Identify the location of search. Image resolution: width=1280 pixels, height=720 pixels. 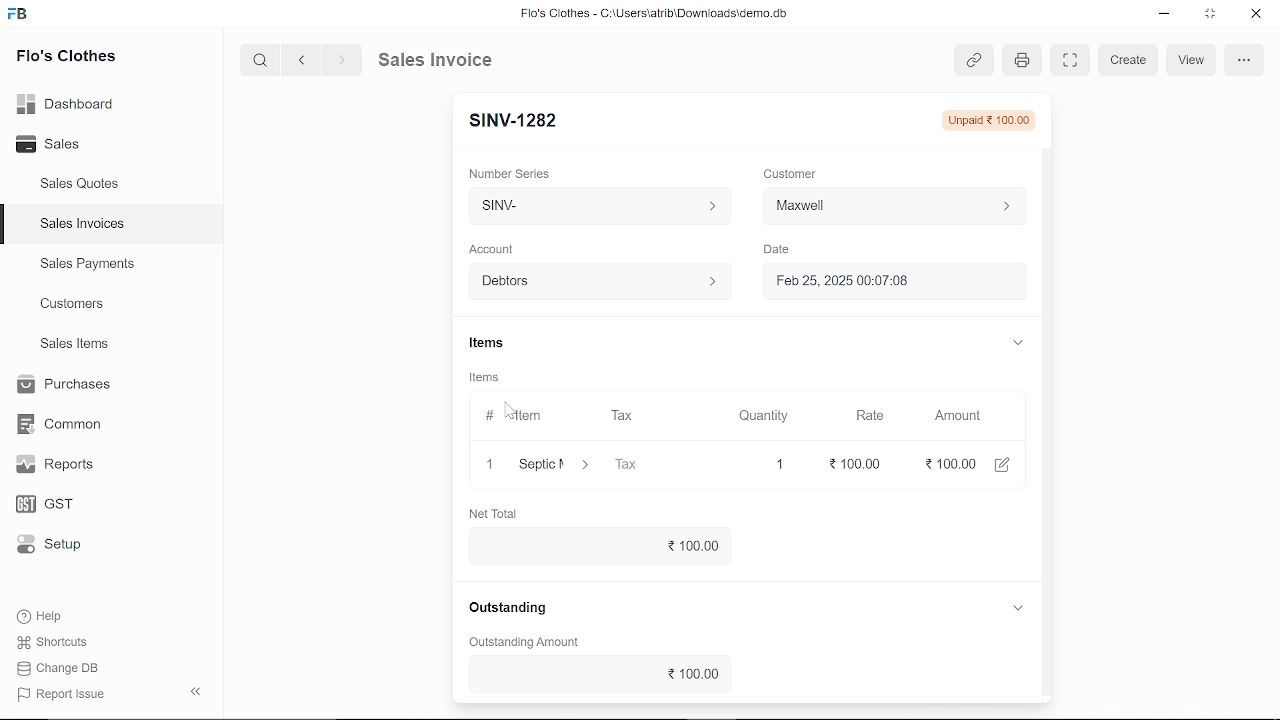
(263, 61).